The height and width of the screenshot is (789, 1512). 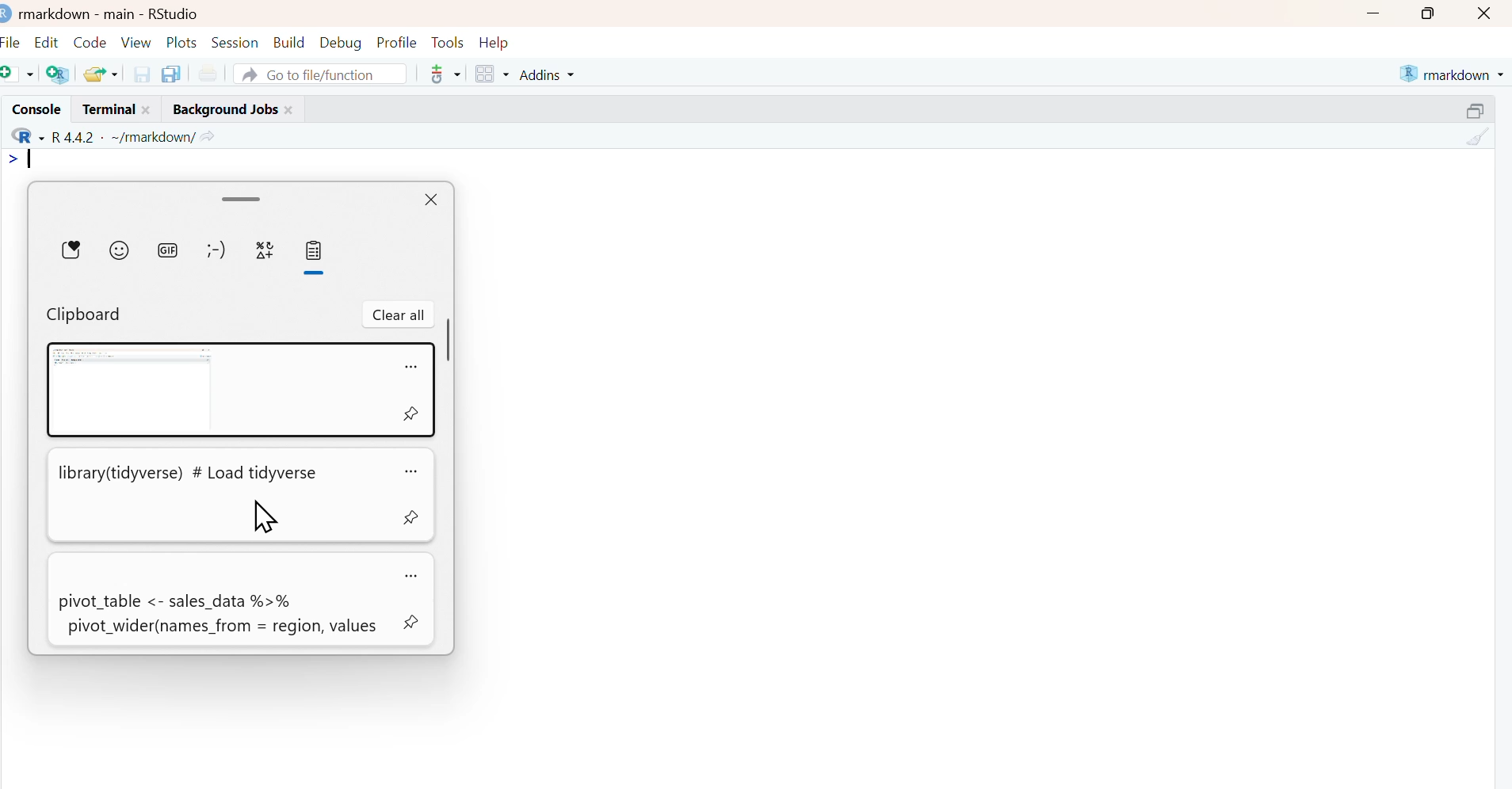 I want to click on >, so click(x=12, y=159).